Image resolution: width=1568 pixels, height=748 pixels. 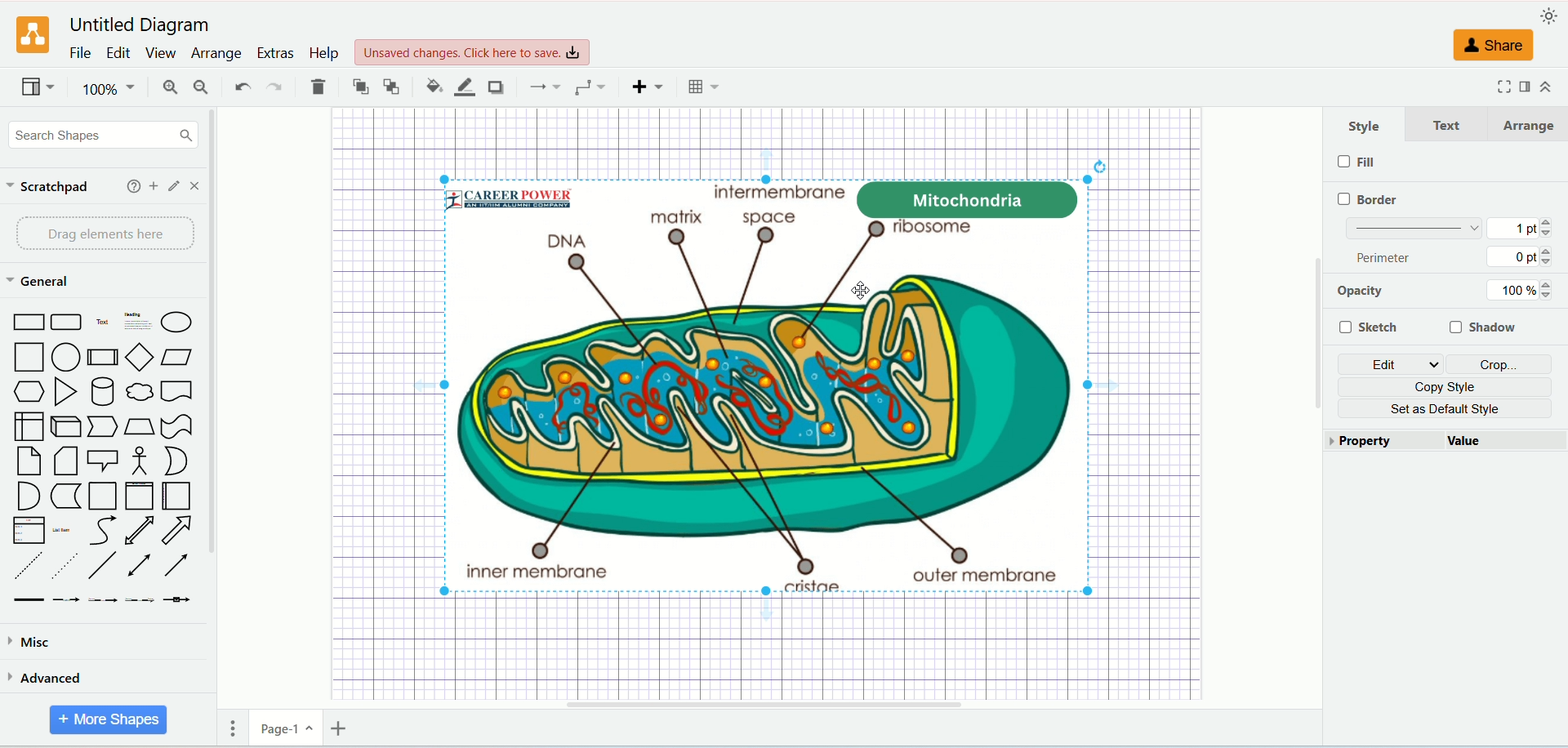 I want to click on extras, so click(x=278, y=52).